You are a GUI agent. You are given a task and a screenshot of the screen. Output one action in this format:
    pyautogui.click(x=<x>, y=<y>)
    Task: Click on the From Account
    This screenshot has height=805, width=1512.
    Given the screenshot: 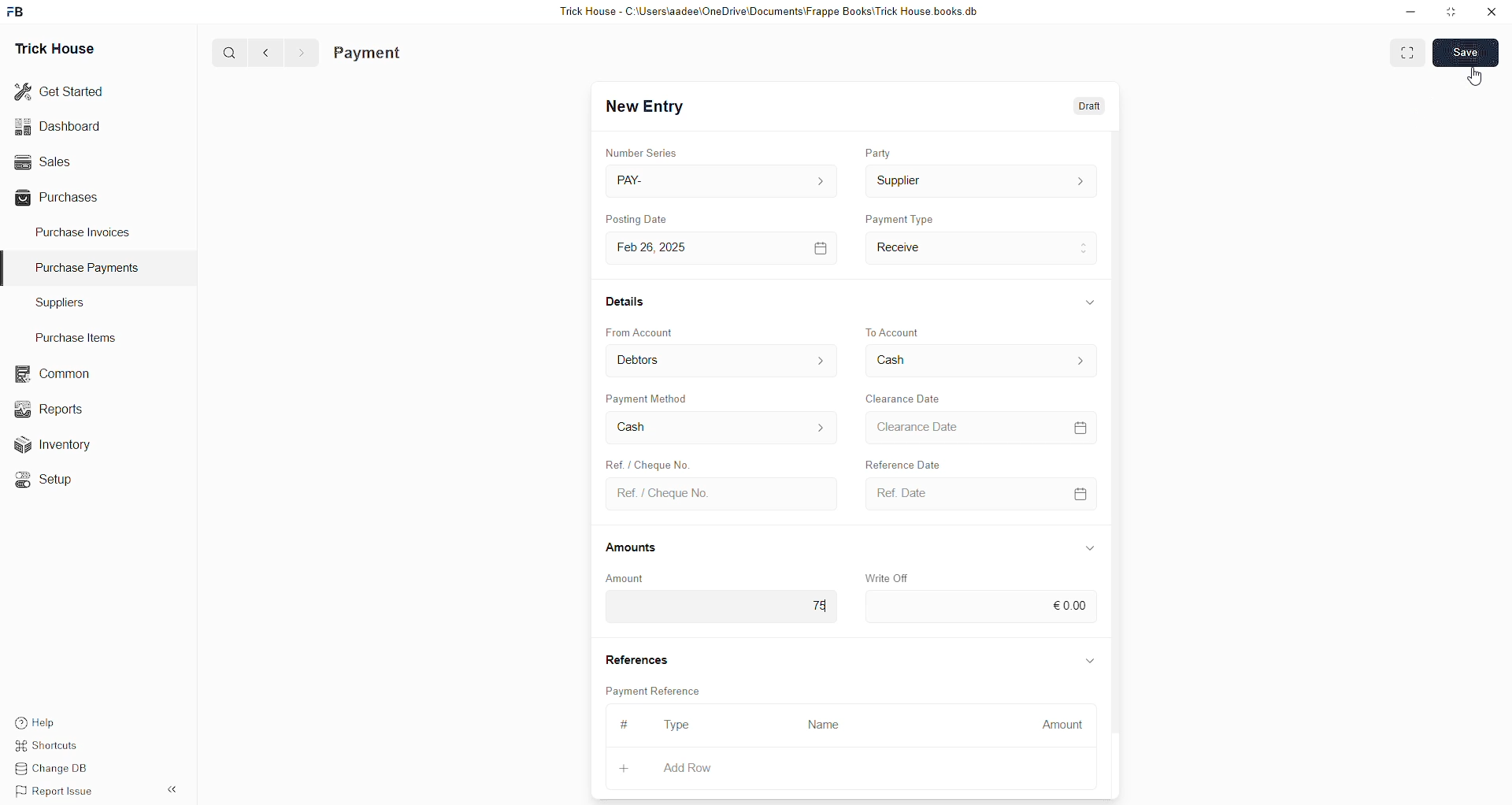 What is the action you would take?
    pyautogui.click(x=723, y=360)
    